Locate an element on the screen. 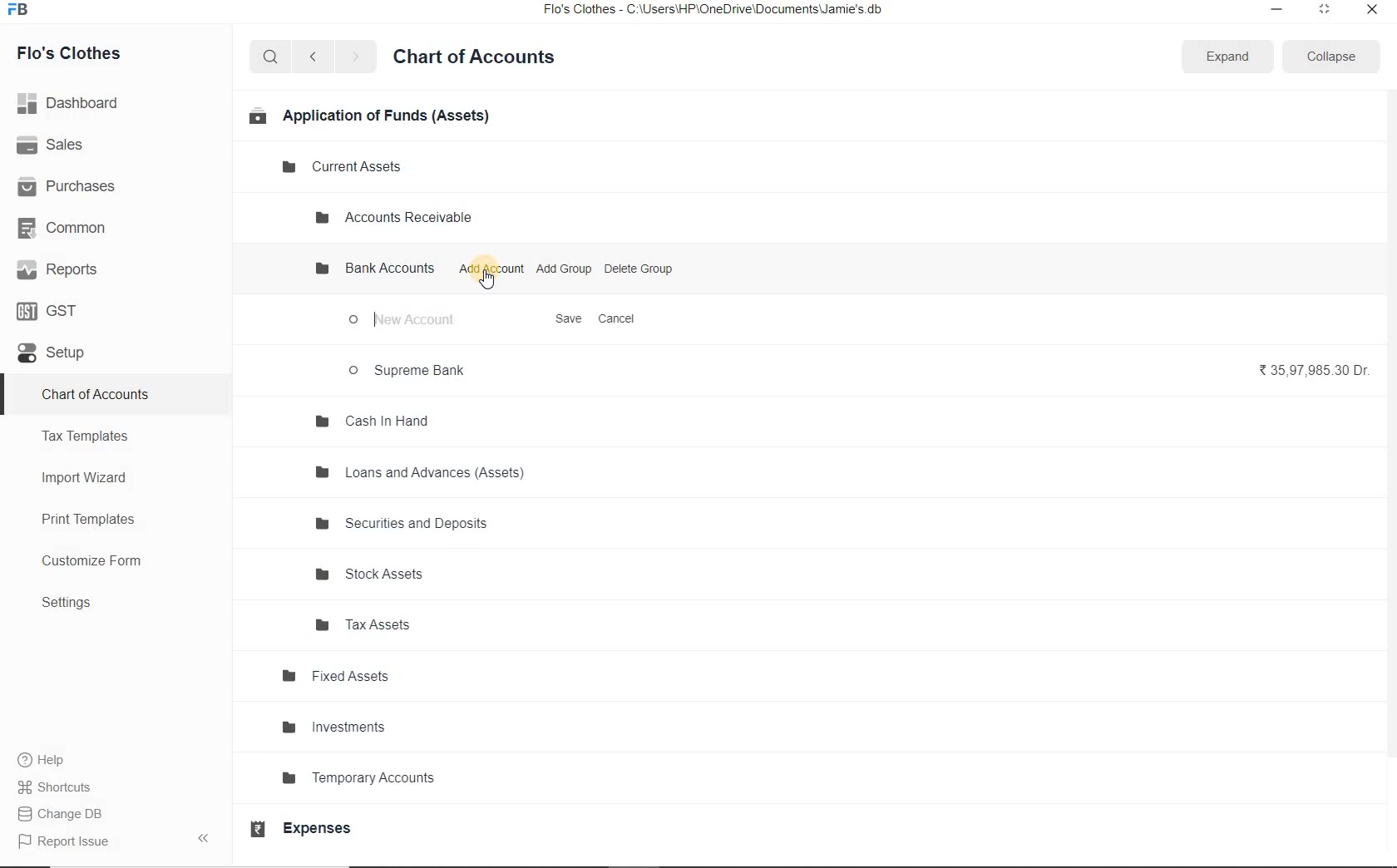 The height and width of the screenshot is (868, 1397). Temporary Accounts is located at coordinates (404, 782).